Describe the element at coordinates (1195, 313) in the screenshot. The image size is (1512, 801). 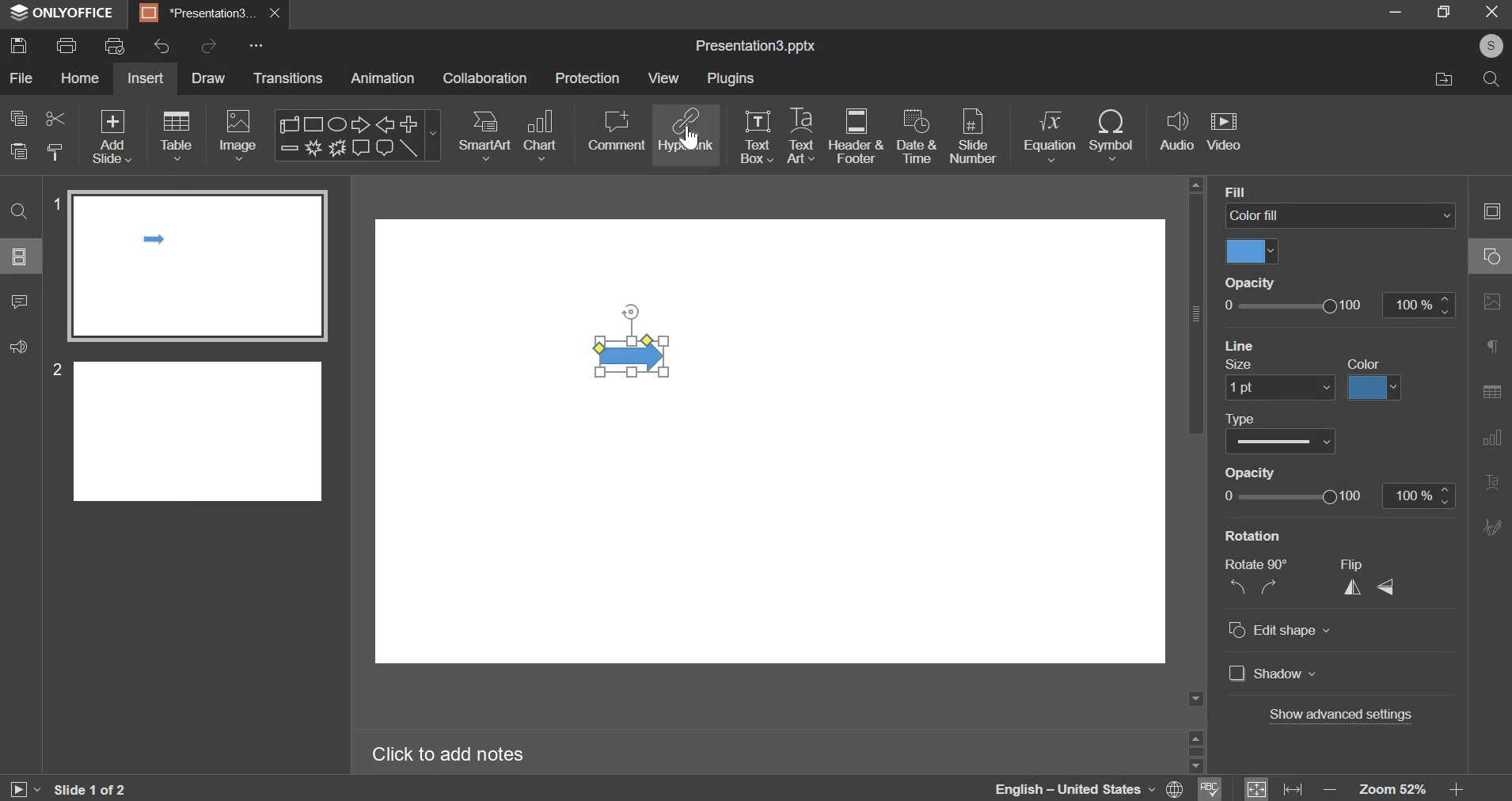
I see `vertical scrollbar` at that location.